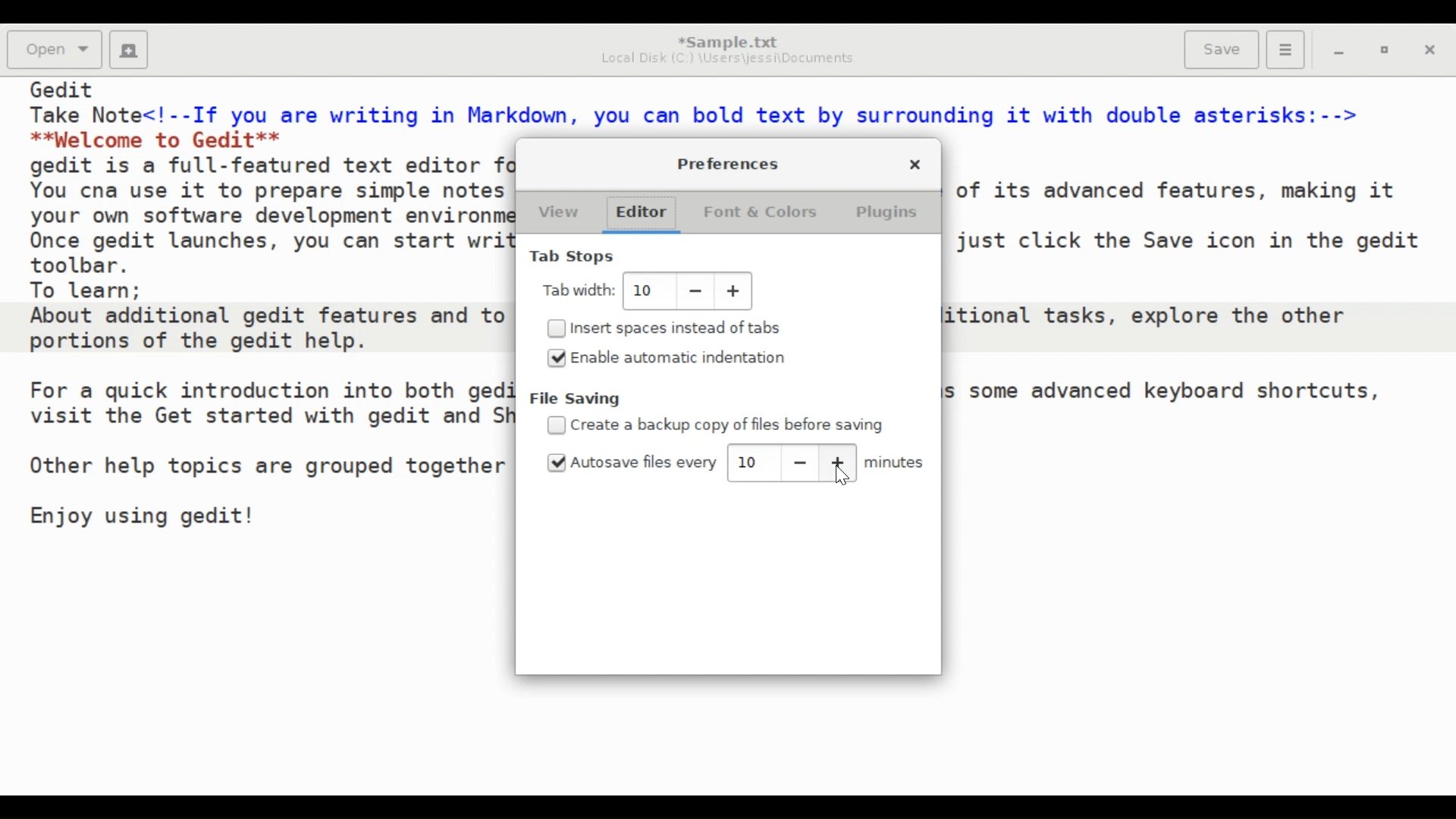 The image size is (1456, 819). Describe the element at coordinates (841, 478) in the screenshot. I see `cursor` at that location.